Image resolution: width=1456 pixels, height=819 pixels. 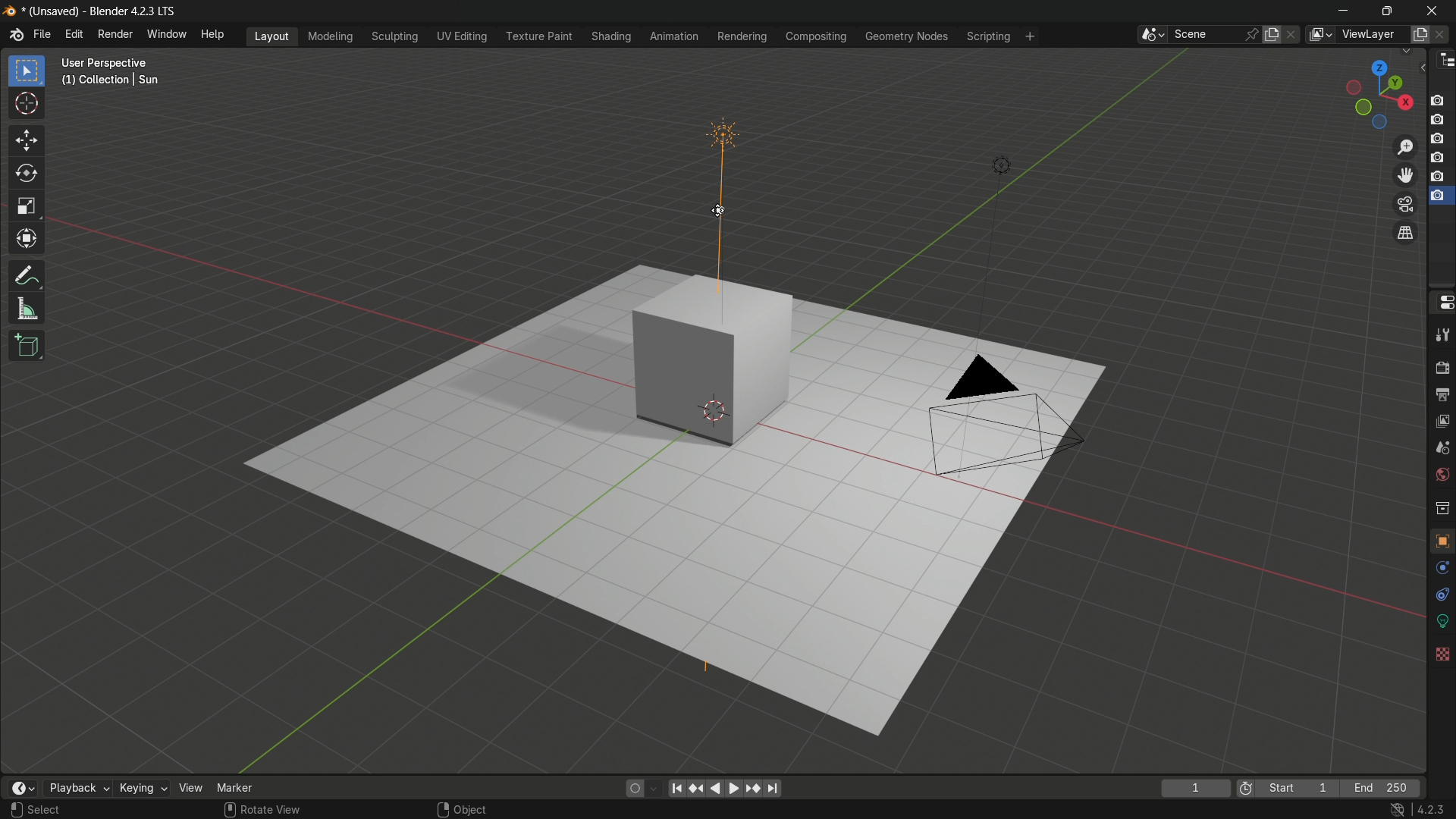 I want to click on * (Unsaved) - Blender 4.2.3 LTS, so click(x=102, y=12).